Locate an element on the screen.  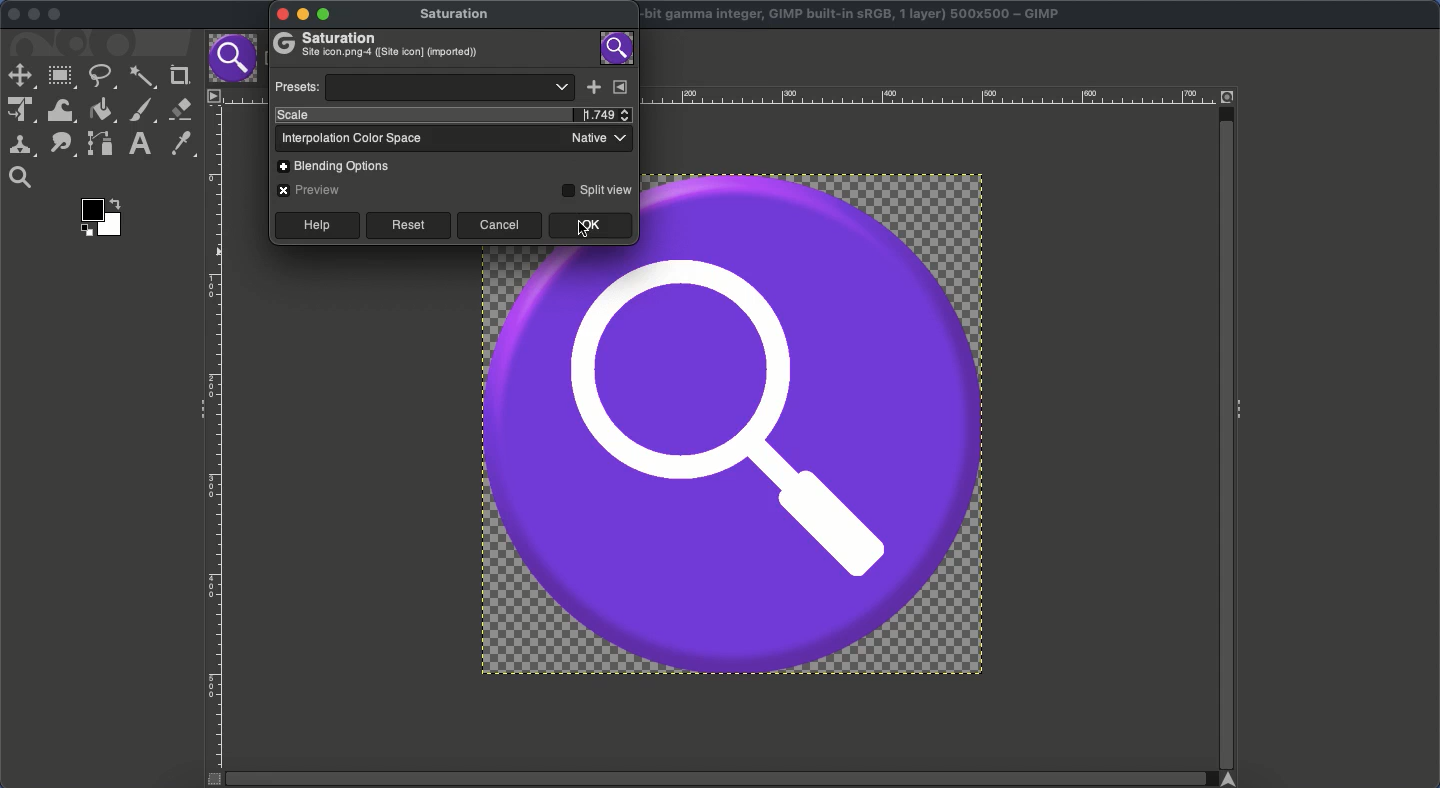
Eraser is located at coordinates (180, 109).